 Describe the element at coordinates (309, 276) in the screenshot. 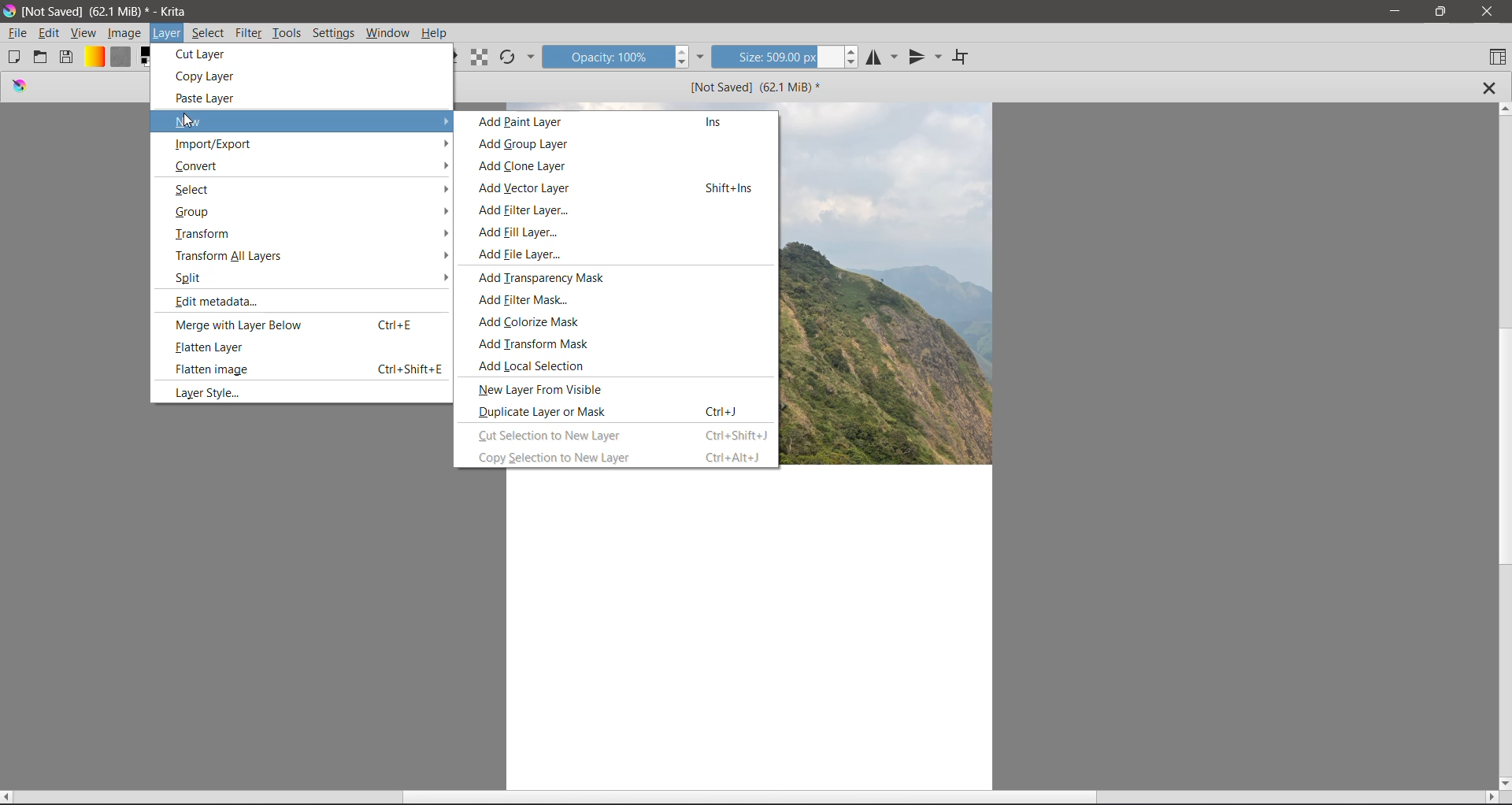

I see `Split` at that location.